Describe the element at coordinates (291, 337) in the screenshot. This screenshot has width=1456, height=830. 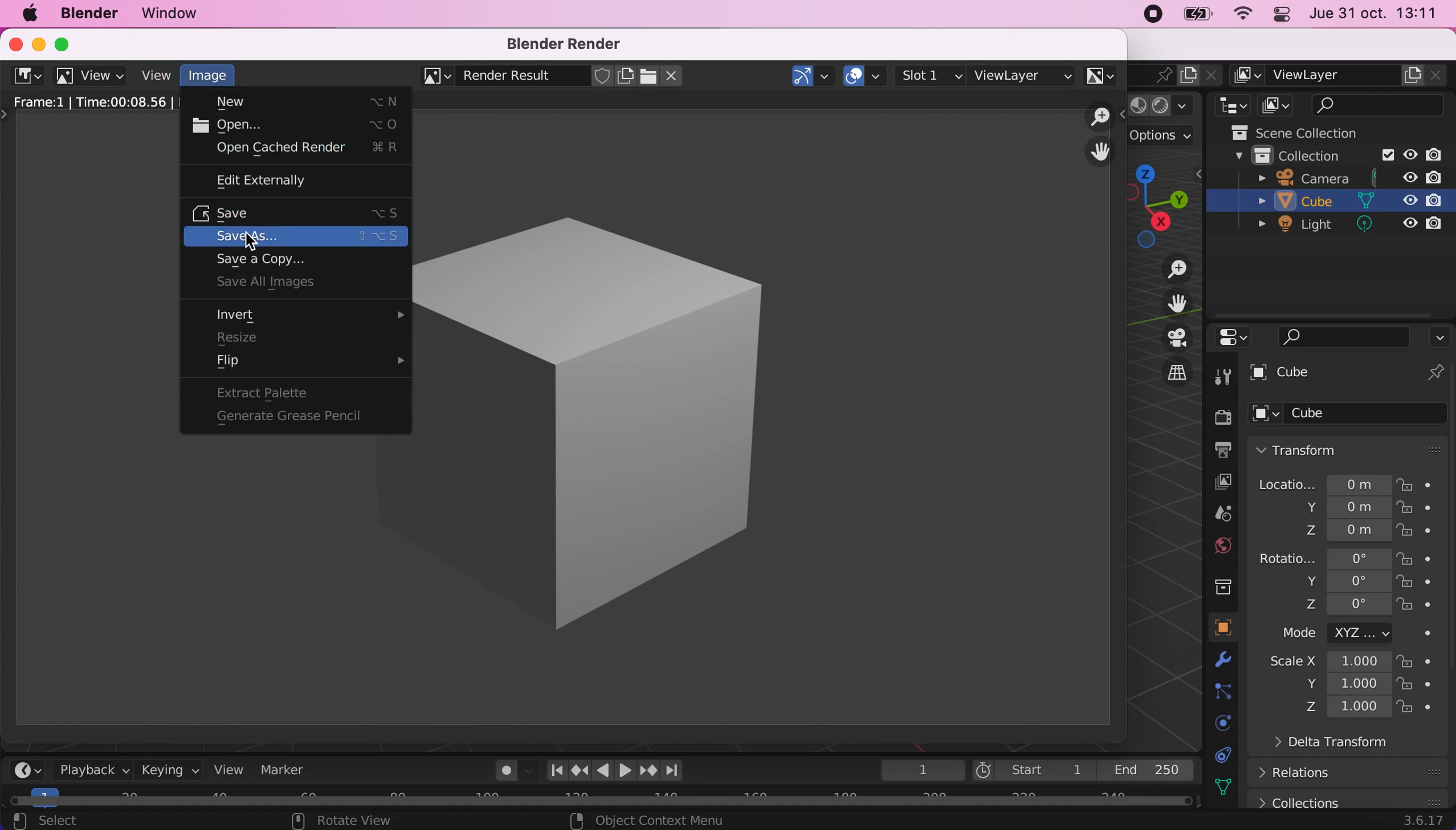
I see `resize` at that location.